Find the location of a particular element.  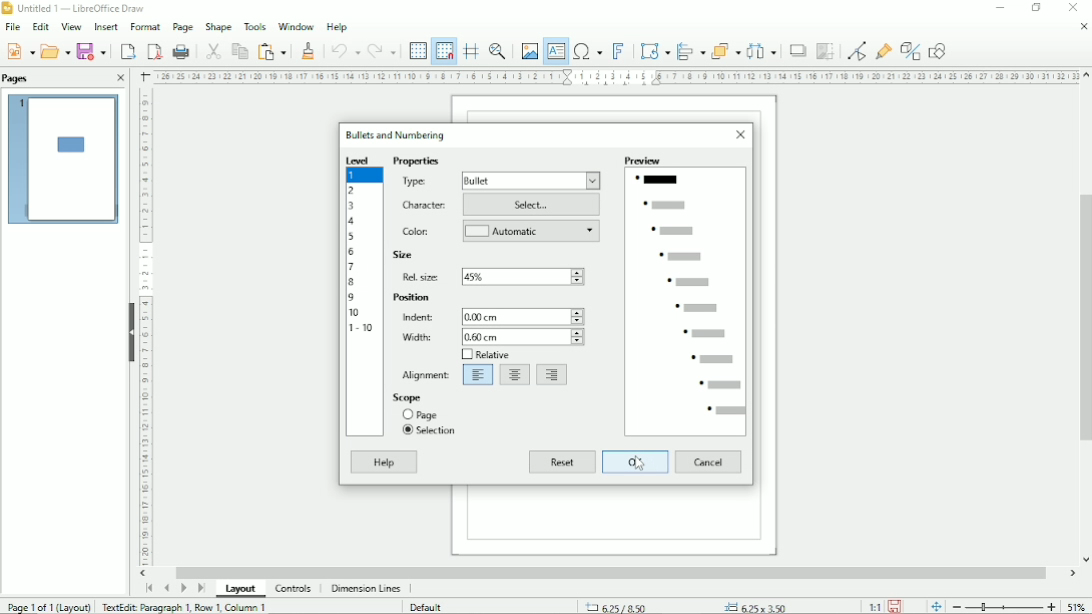

2 is located at coordinates (352, 189).